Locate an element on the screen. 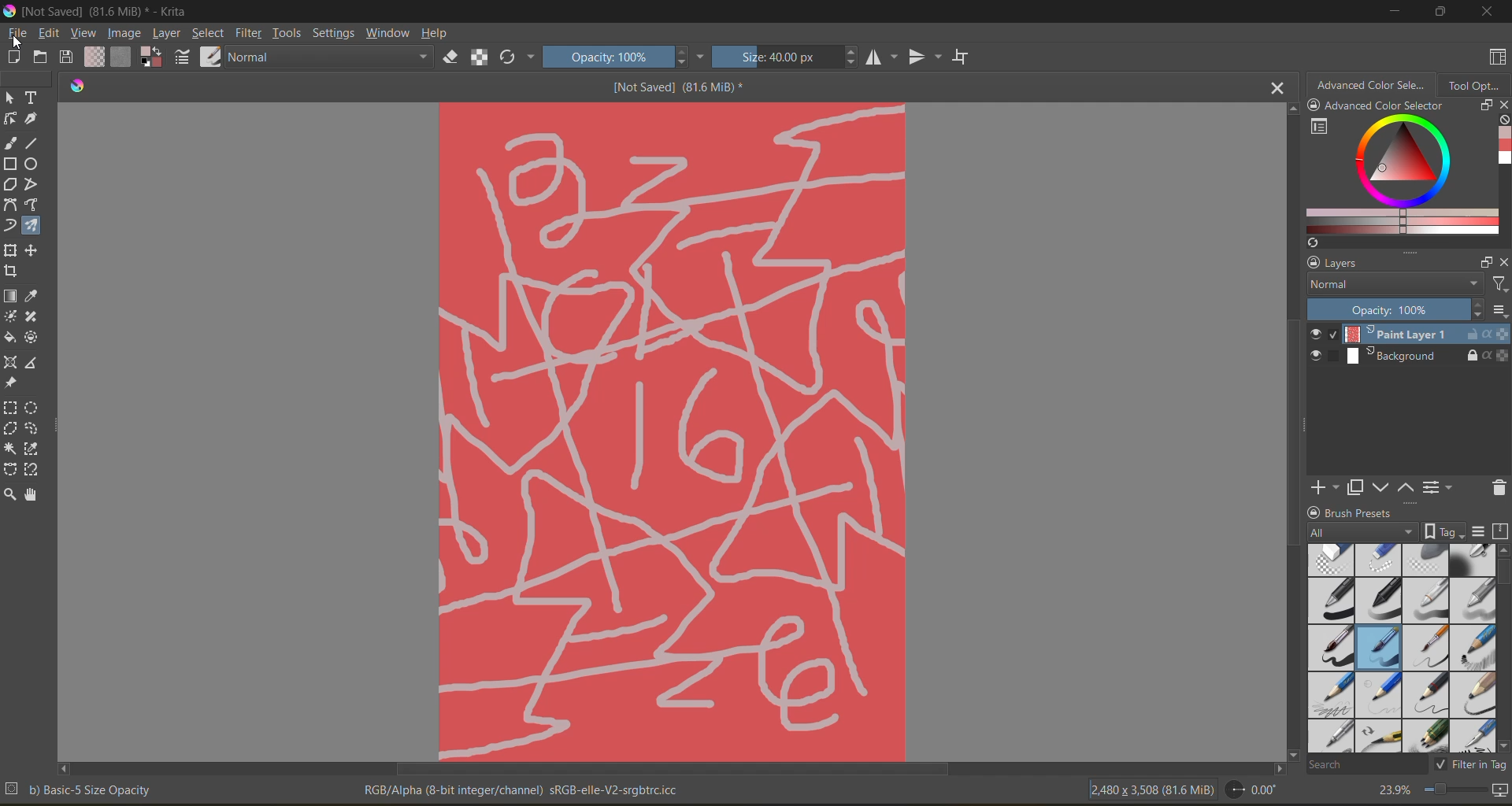 The image size is (1512, 806). tool is located at coordinates (11, 98).